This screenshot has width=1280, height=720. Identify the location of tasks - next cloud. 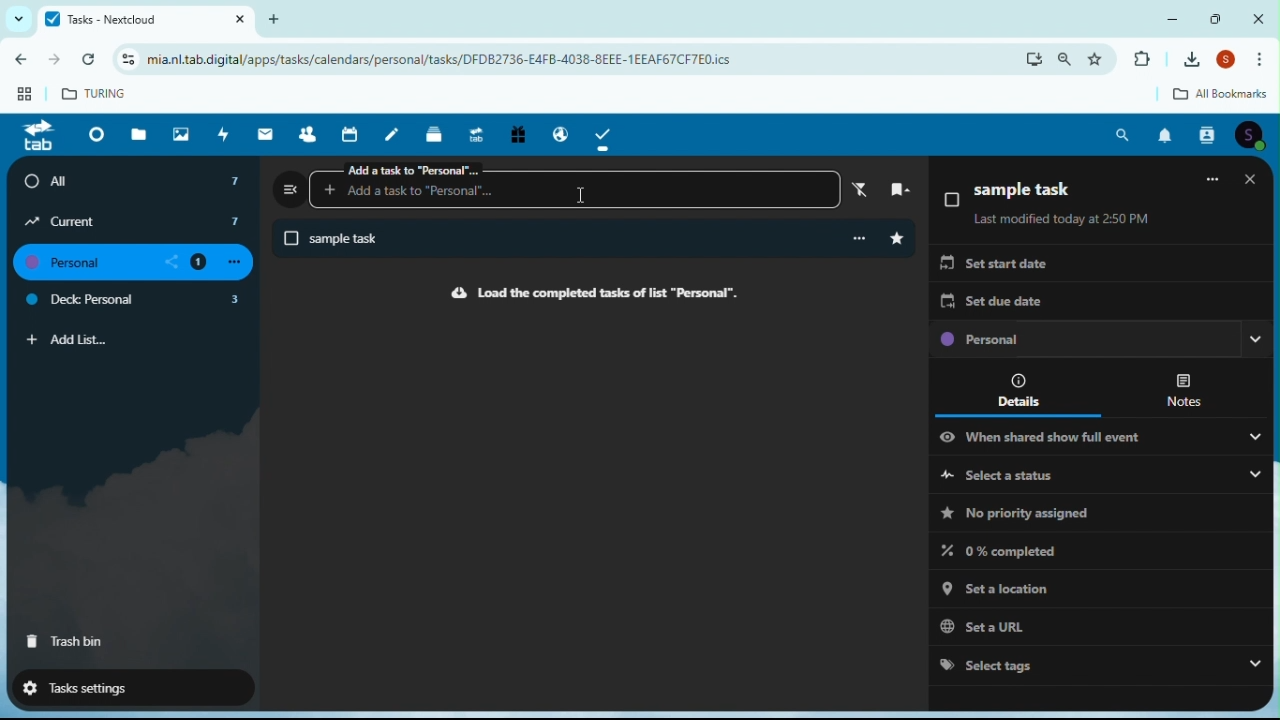
(143, 19).